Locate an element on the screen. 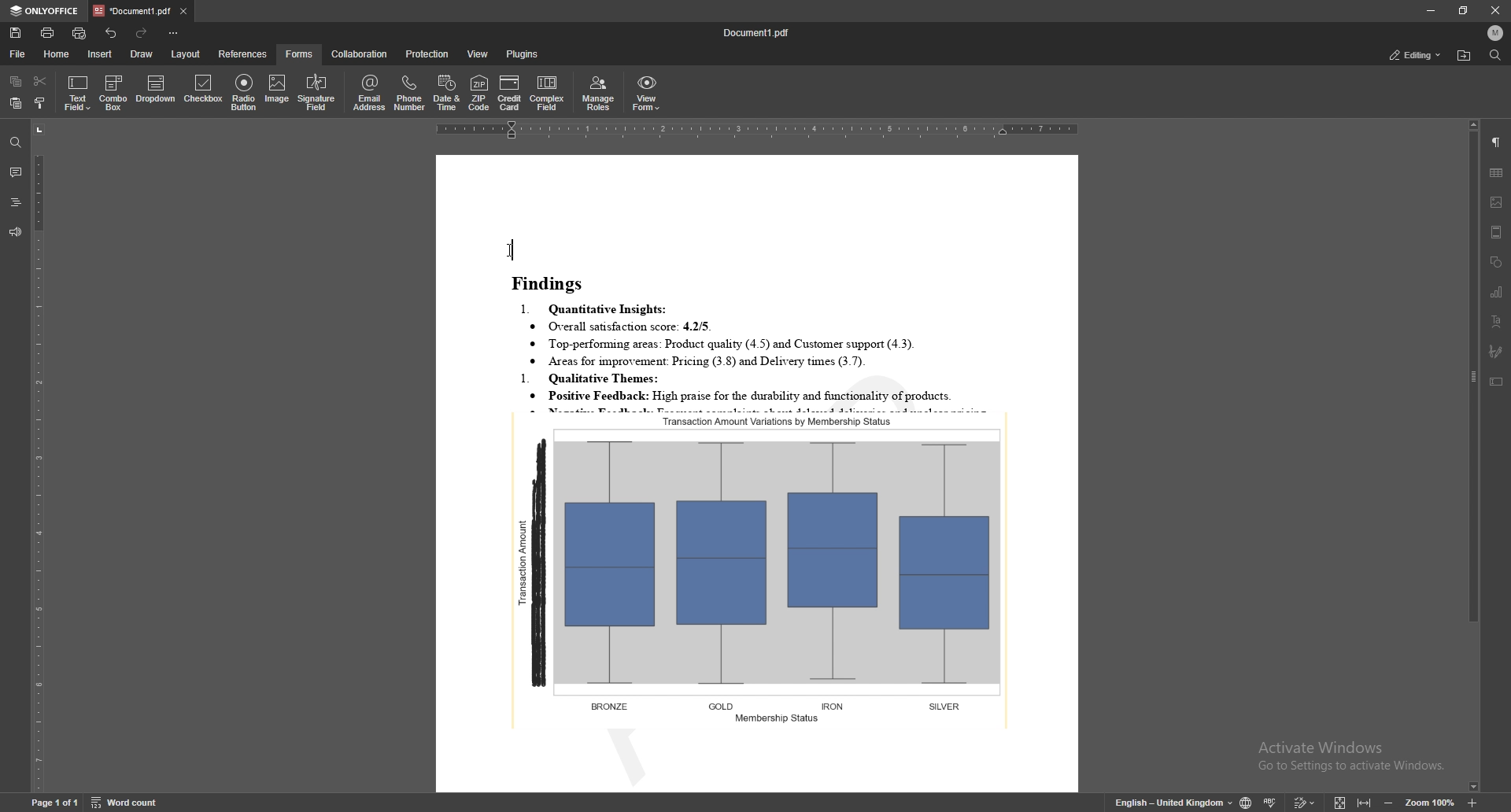 The image size is (1511, 812). ® Top-performung areas: Product quality (4.5) and Customer support (4.3). is located at coordinates (729, 345).